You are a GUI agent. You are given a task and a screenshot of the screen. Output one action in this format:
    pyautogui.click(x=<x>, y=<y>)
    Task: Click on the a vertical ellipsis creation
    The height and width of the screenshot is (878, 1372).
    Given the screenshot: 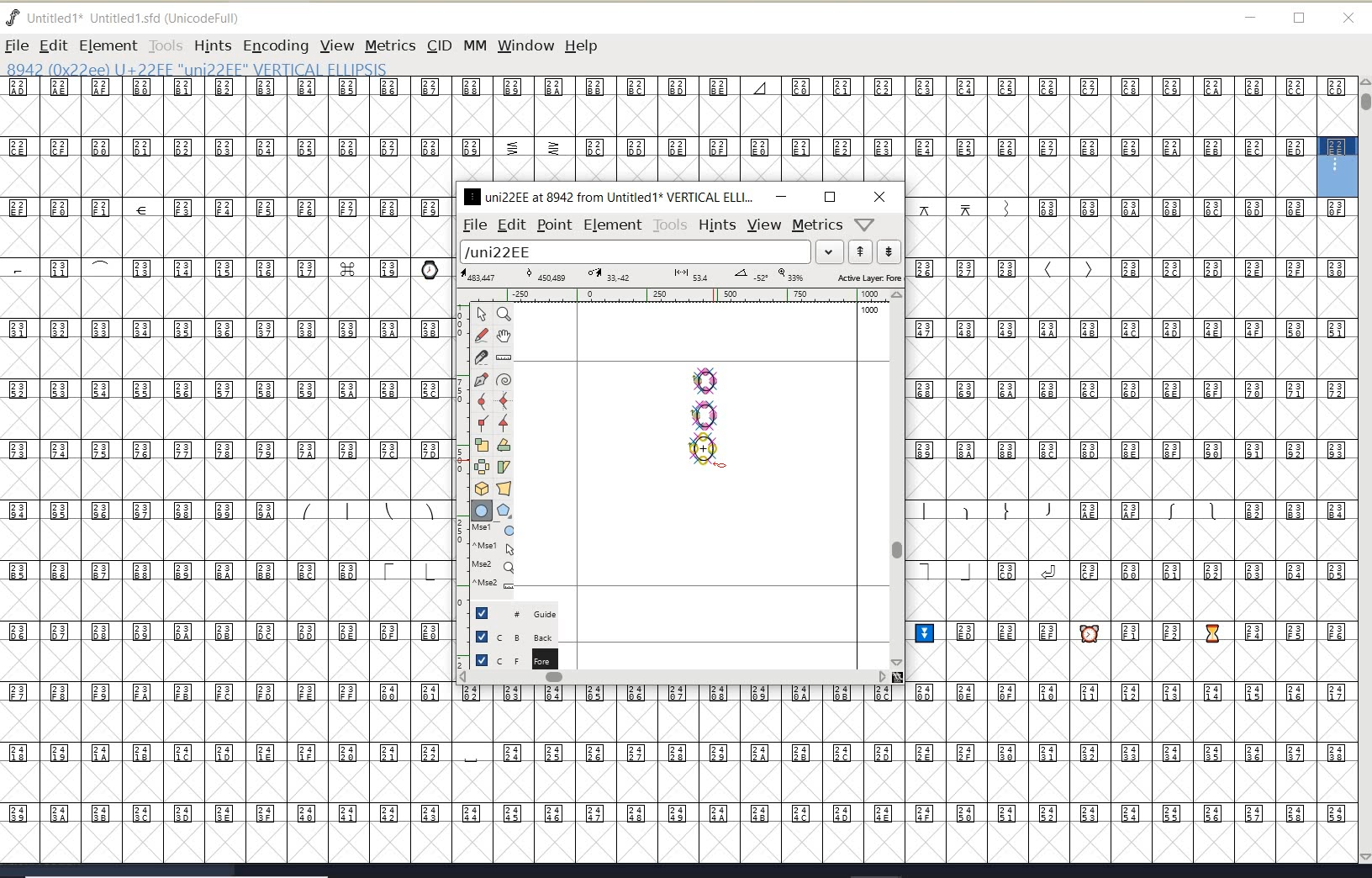 What is the action you would take?
    pyautogui.click(x=704, y=449)
    